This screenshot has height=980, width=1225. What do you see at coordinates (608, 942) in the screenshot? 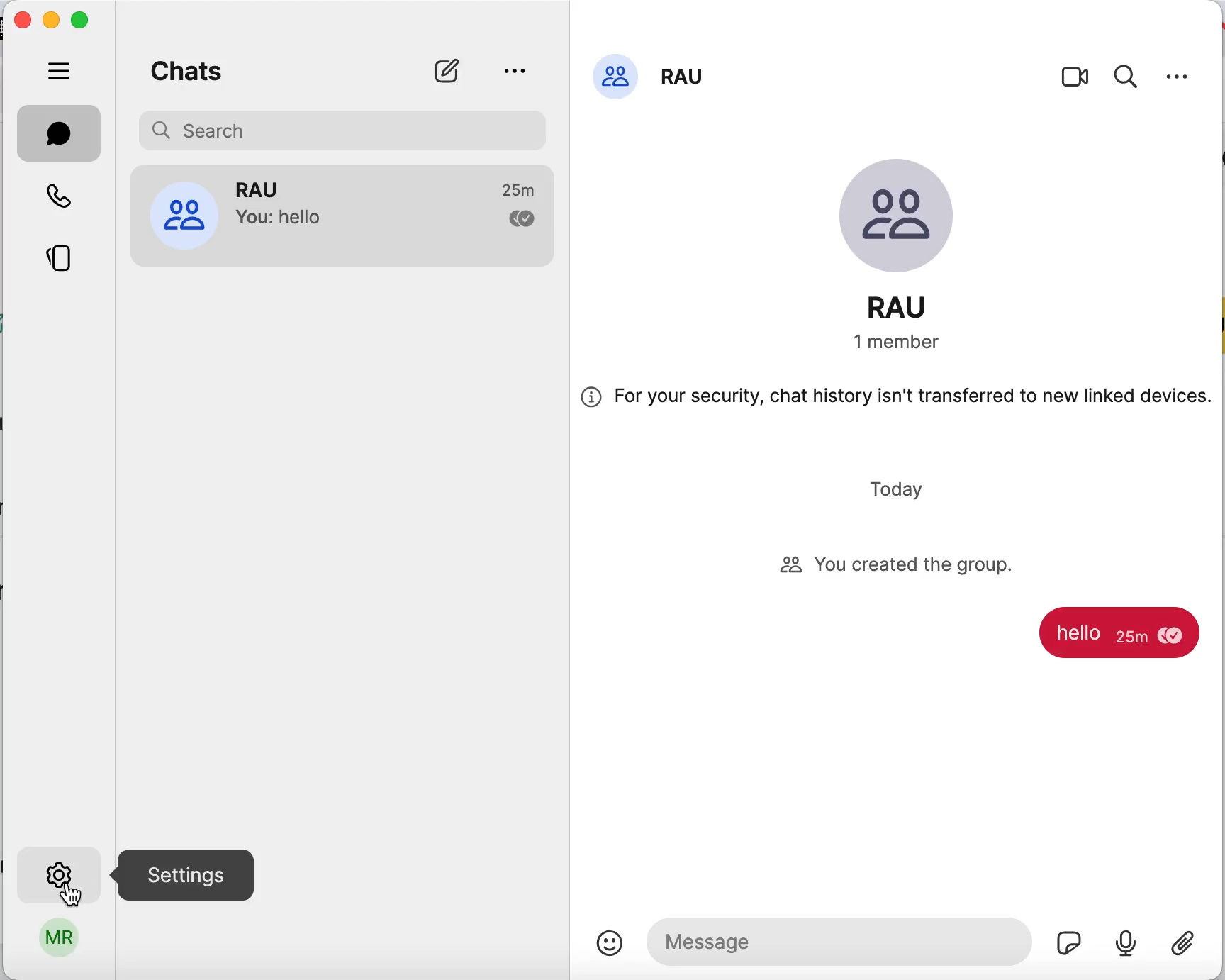
I see `emoji` at bounding box center [608, 942].